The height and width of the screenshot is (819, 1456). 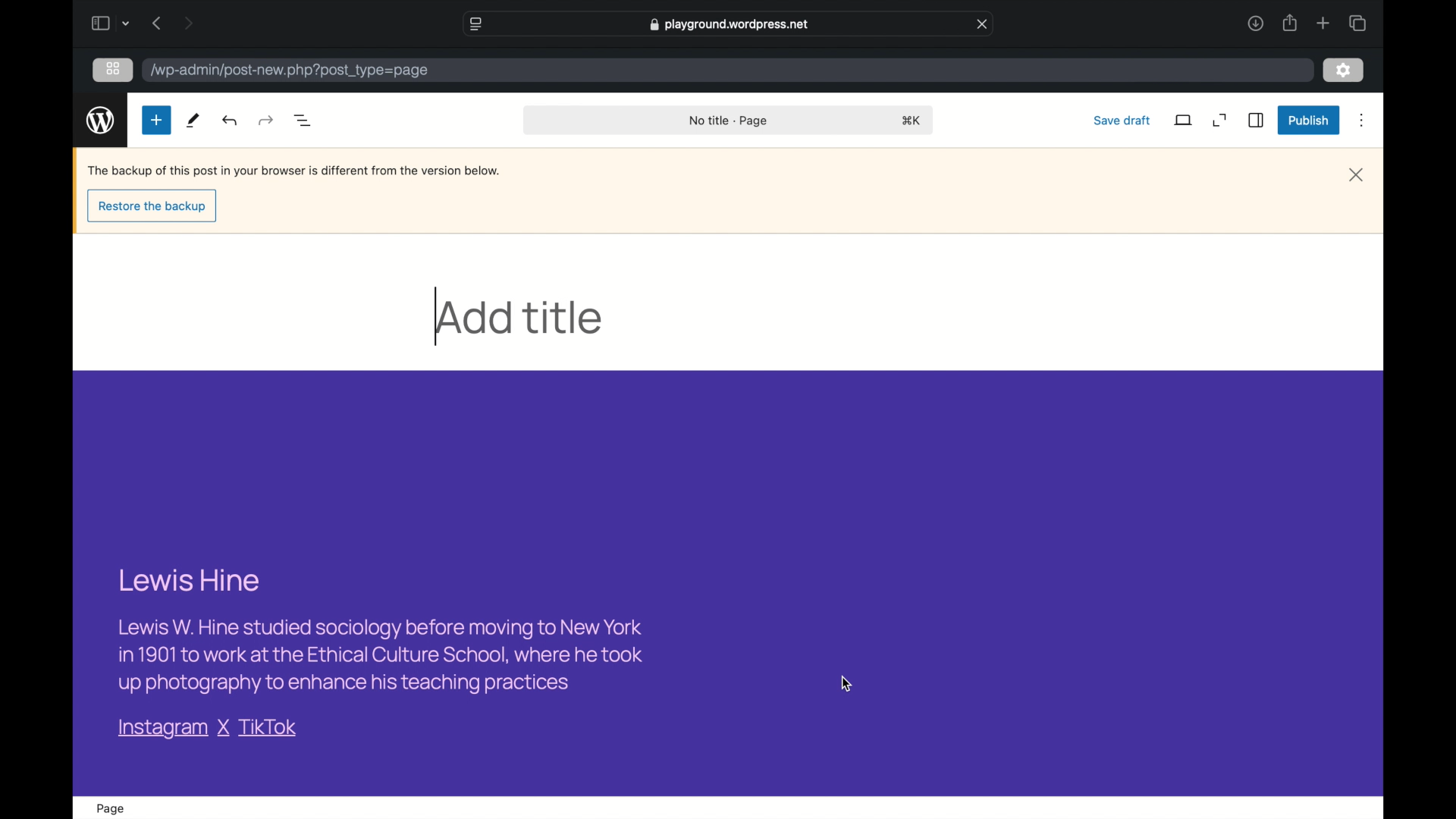 What do you see at coordinates (1184, 120) in the screenshot?
I see `view` at bounding box center [1184, 120].